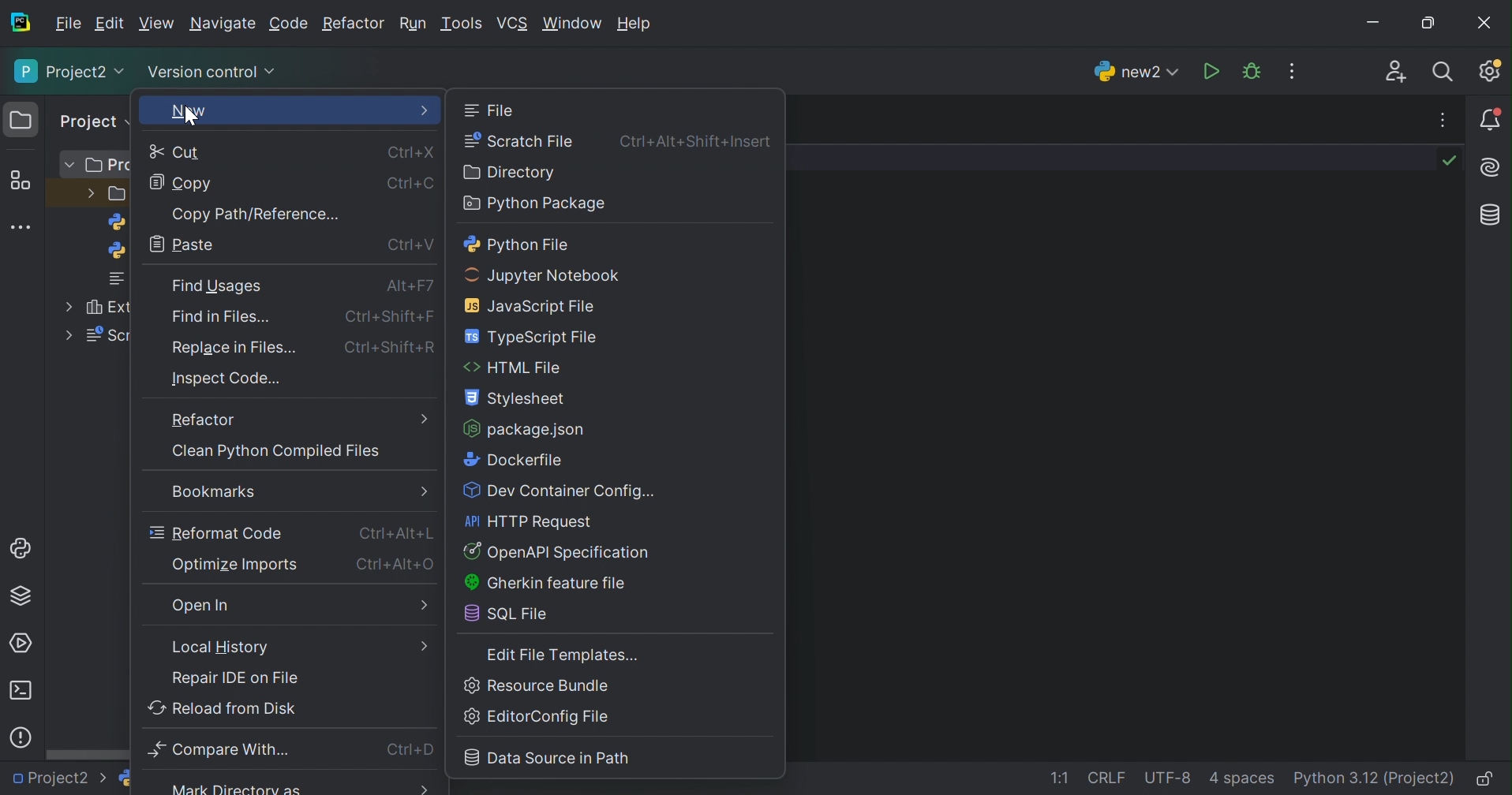  What do you see at coordinates (109, 166) in the screenshot?
I see `Pro` at bounding box center [109, 166].